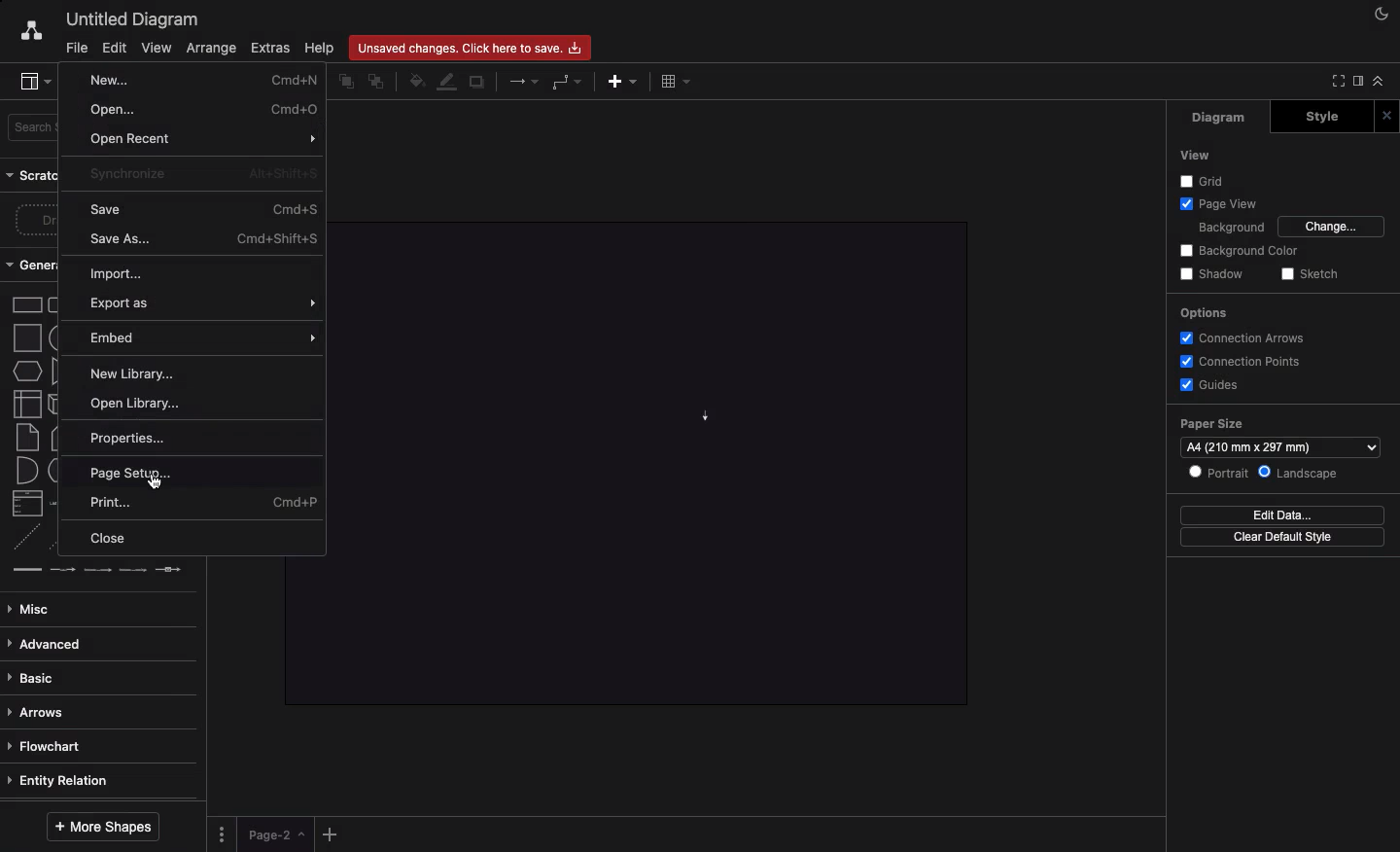 The image size is (1400, 852). Describe the element at coordinates (525, 80) in the screenshot. I see `Arrows` at that location.